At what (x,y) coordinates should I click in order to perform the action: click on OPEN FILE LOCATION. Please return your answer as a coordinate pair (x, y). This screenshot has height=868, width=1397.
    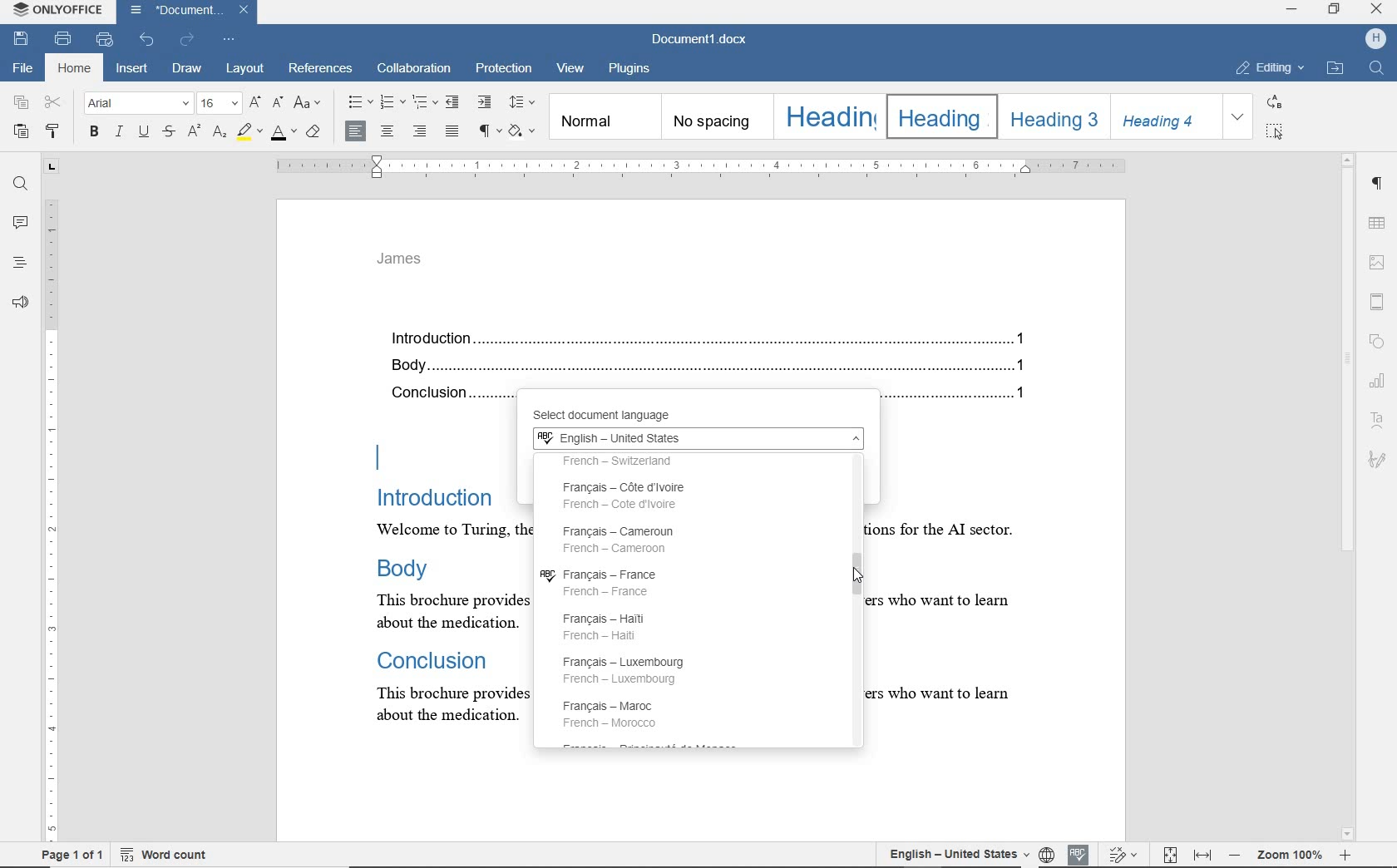
    Looking at the image, I should click on (1335, 69).